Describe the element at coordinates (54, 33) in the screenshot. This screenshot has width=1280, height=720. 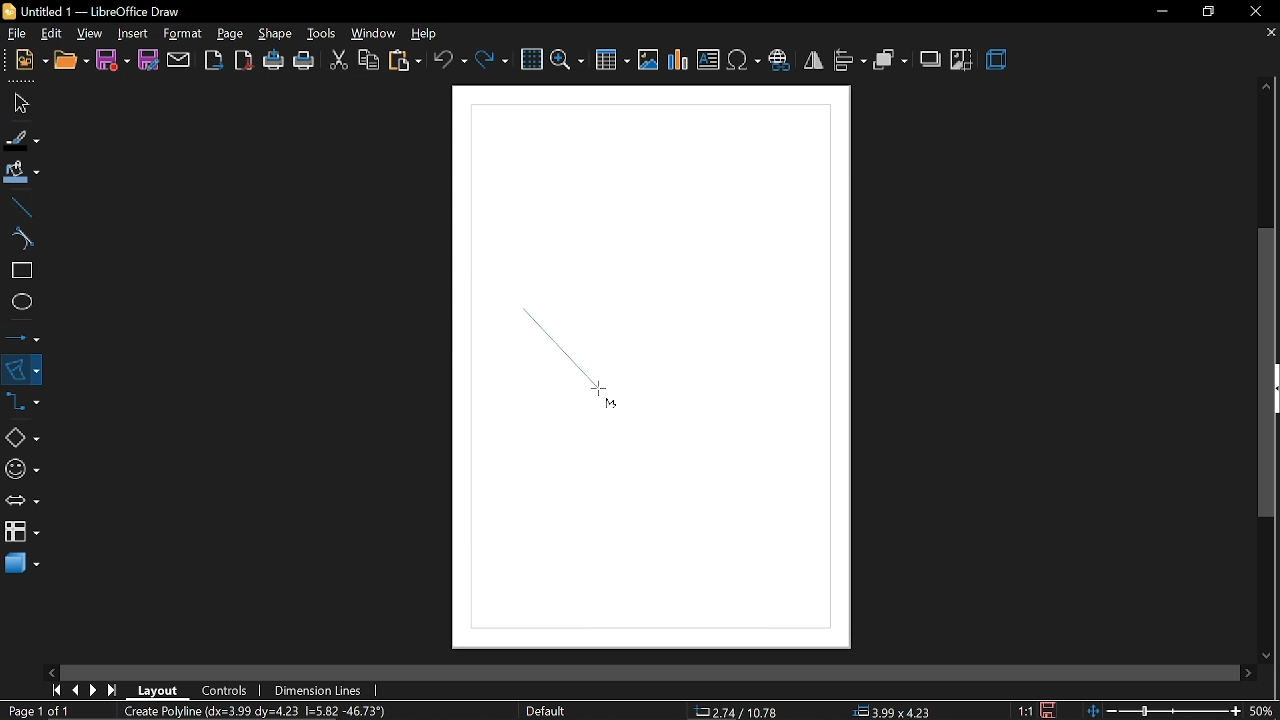
I see `edit` at that location.